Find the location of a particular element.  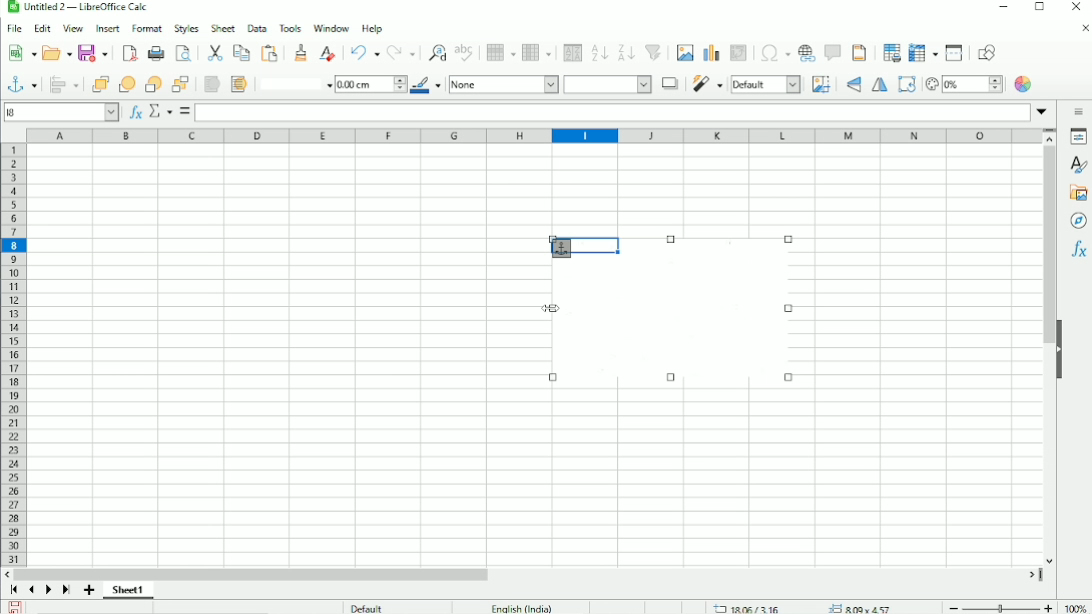

Align objects is located at coordinates (63, 84).